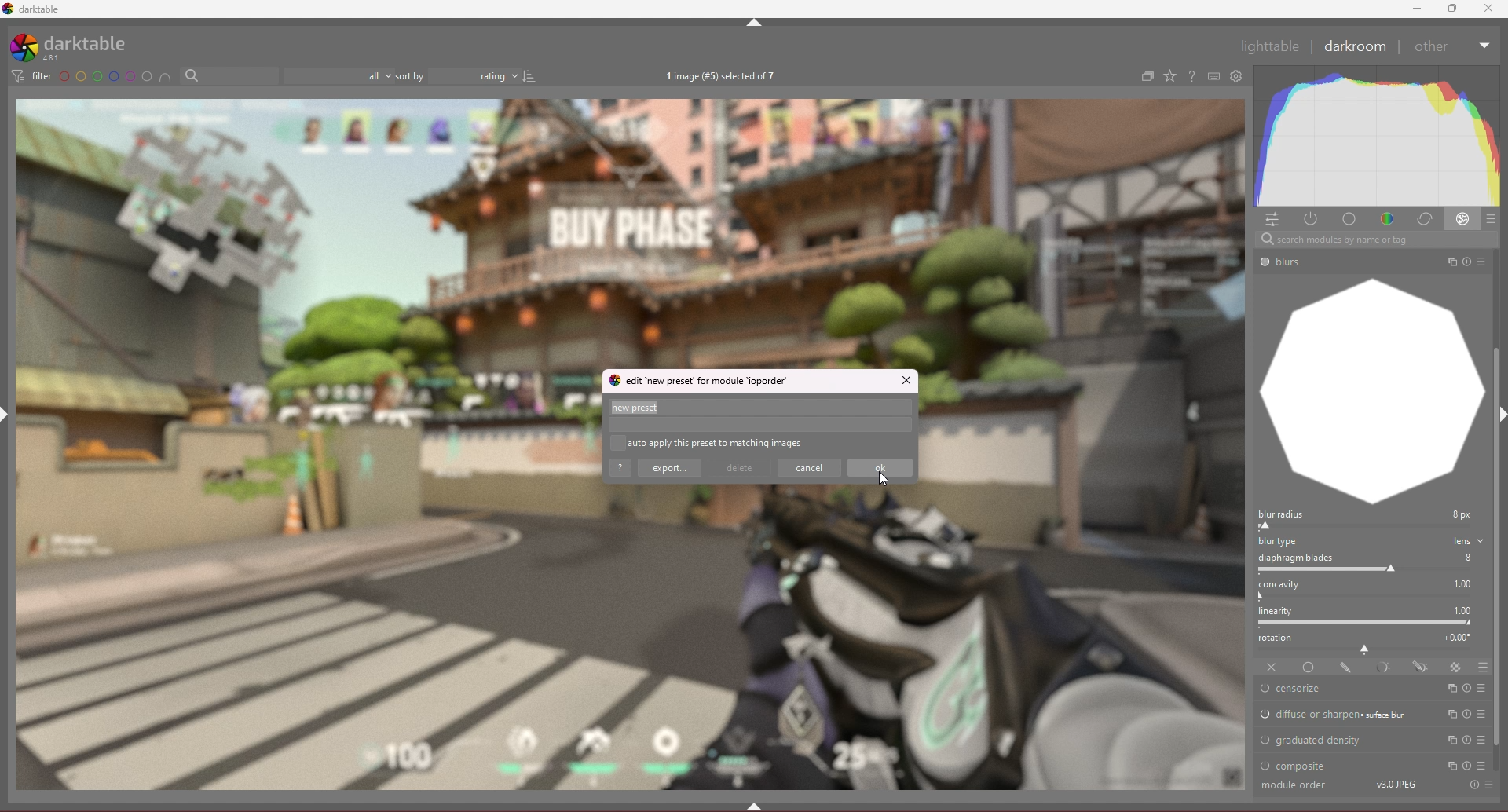  What do you see at coordinates (1470, 262) in the screenshot?
I see `` at bounding box center [1470, 262].